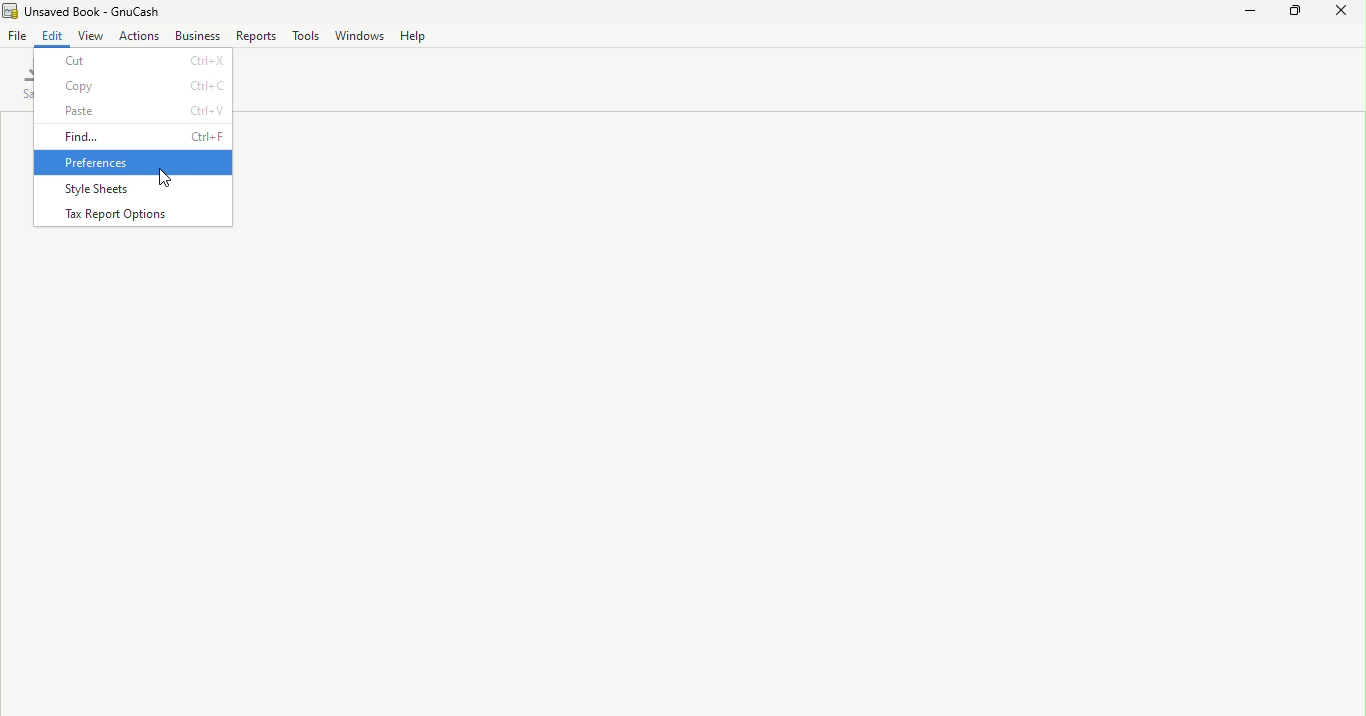 The width and height of the screenshot is (1366, 716). What do you see at coordinates (257, 35) in the screenshot?
I see `Reports` at bounding box center [257, 35].